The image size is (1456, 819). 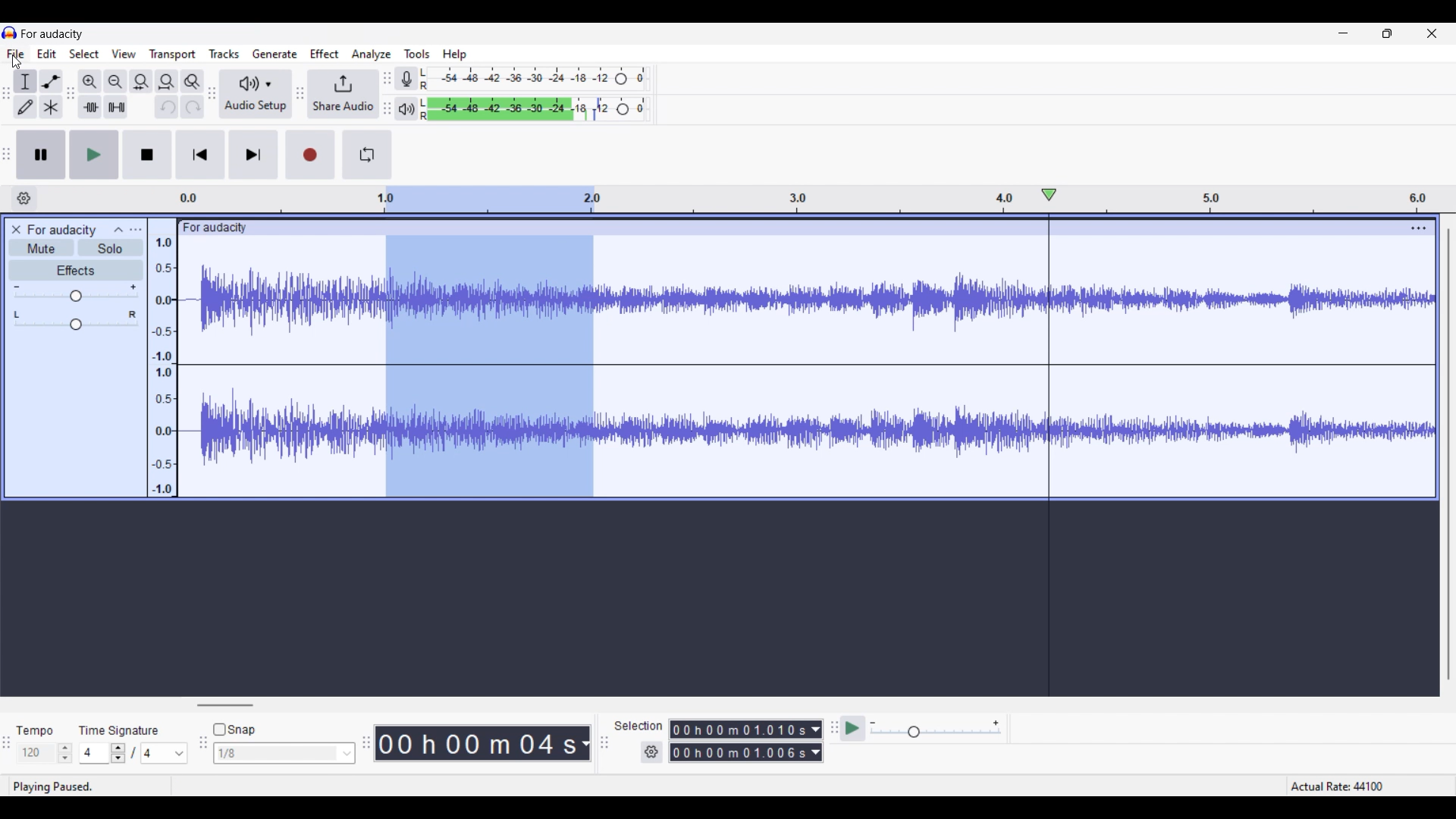 What do you see at coordinates (816, 741) in the screenshot?
I see `Duration measurement options` at bounding box center [816, 741].